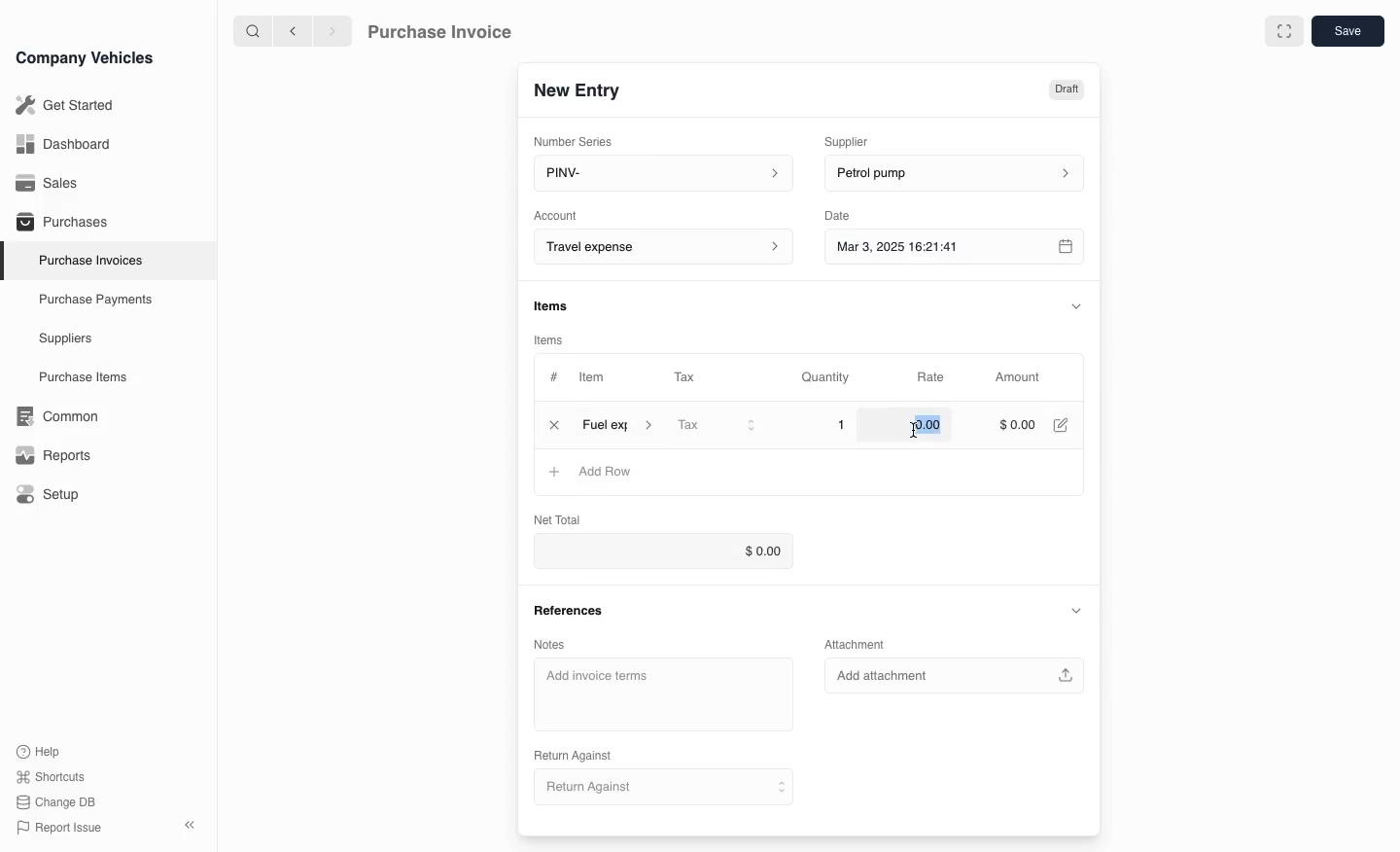  I want to click on Rate, so click(932, 377).